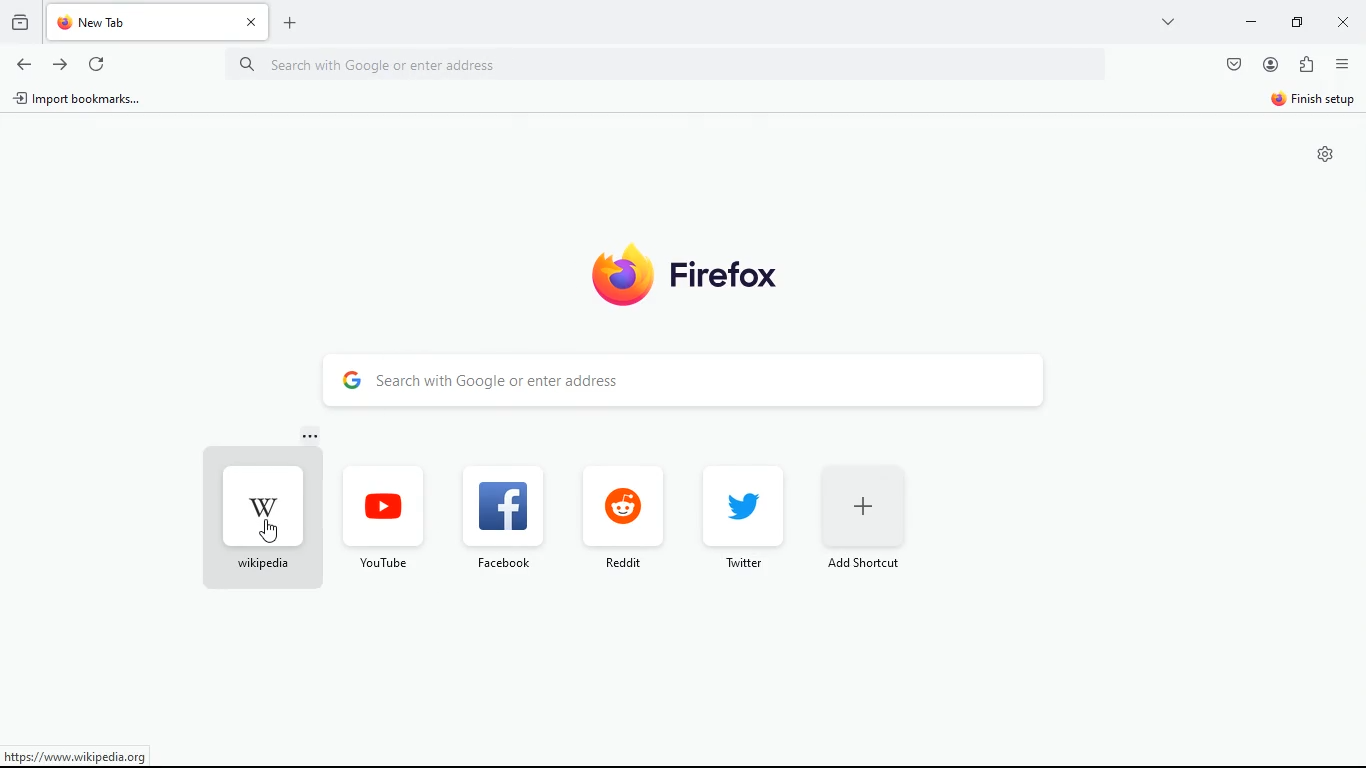 The height and width of the screenshot is (768, 1366). Describe the element at coordinates (1233, 64) in the screenshot. I see `save` at that location.